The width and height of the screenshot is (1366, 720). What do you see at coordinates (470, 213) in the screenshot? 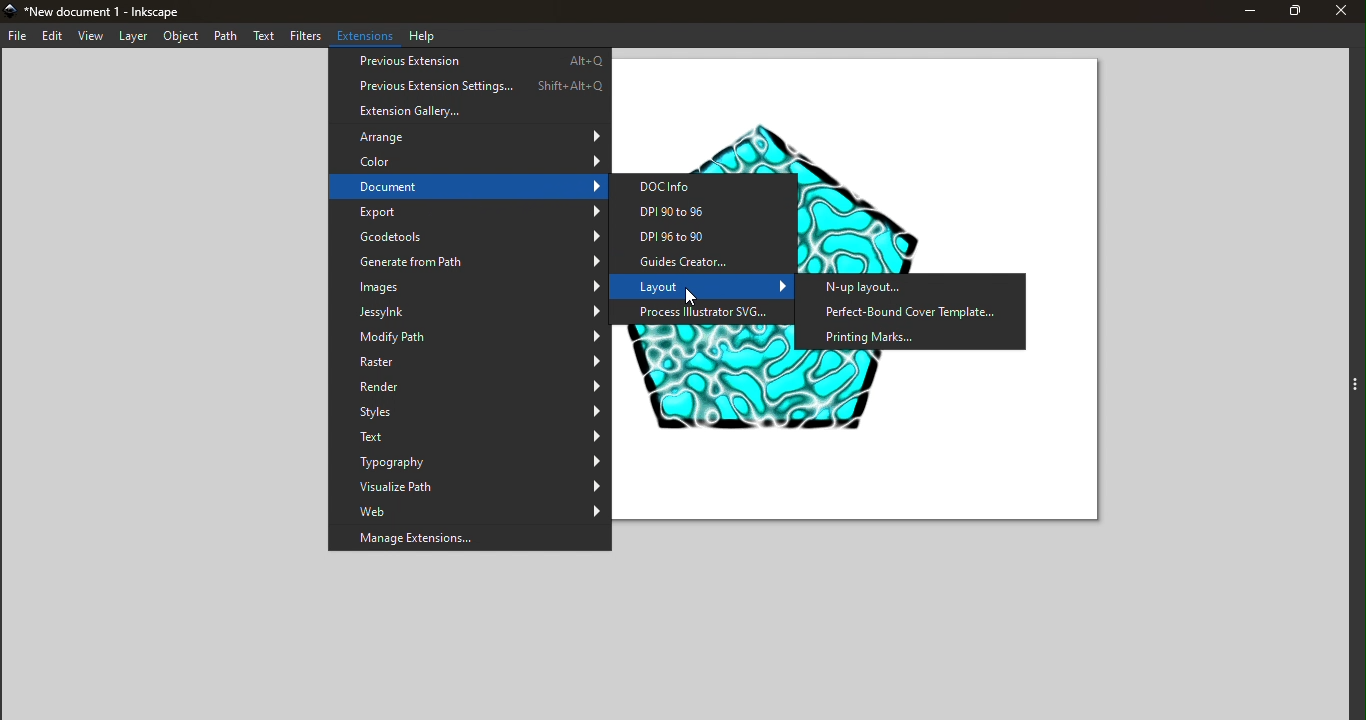
I see `Export` at bounding box center [470, 213].